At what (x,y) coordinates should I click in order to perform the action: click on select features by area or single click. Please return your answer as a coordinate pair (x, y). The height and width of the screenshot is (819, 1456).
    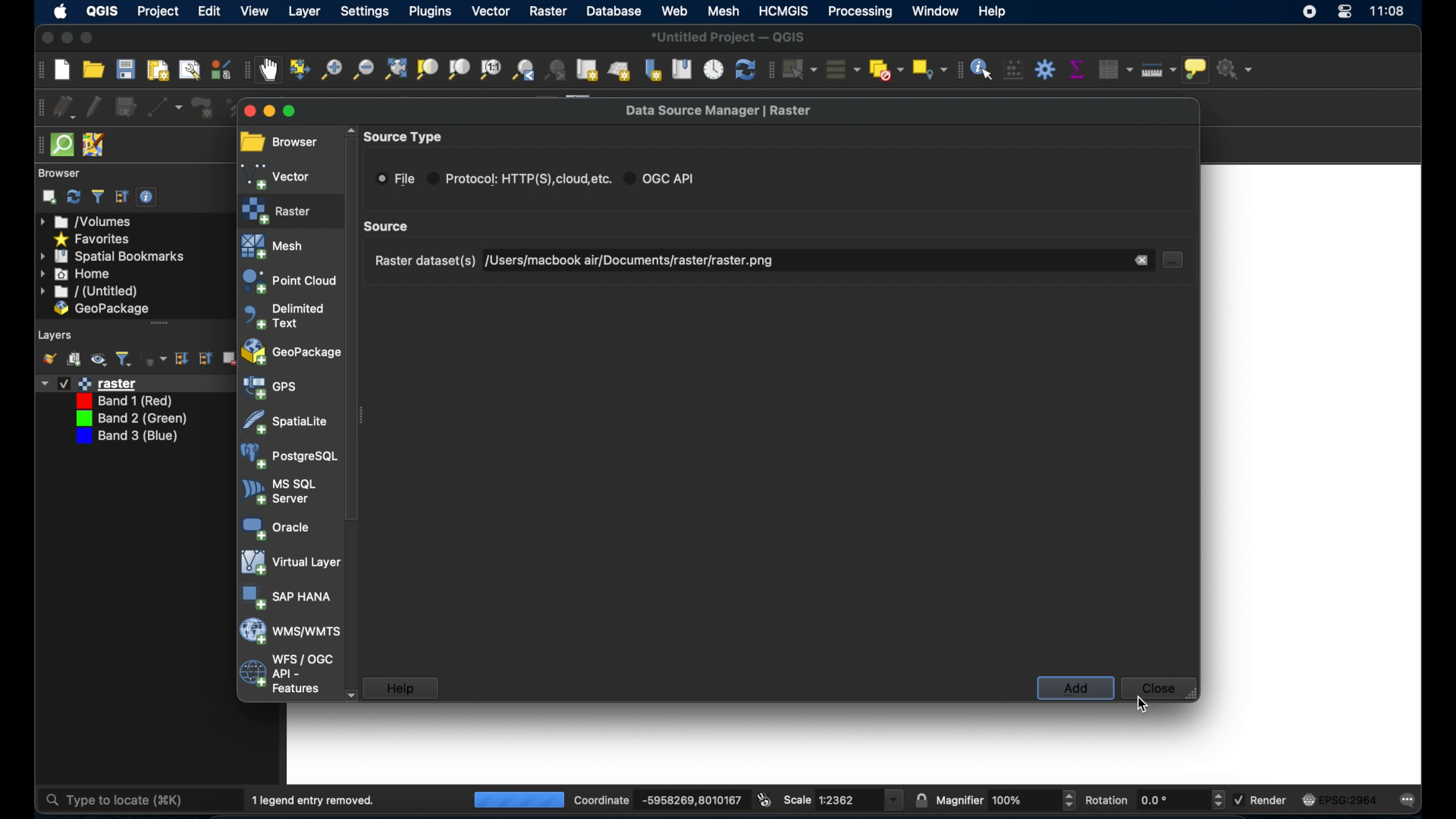
    Looking at the image, I should click on (799, 68).